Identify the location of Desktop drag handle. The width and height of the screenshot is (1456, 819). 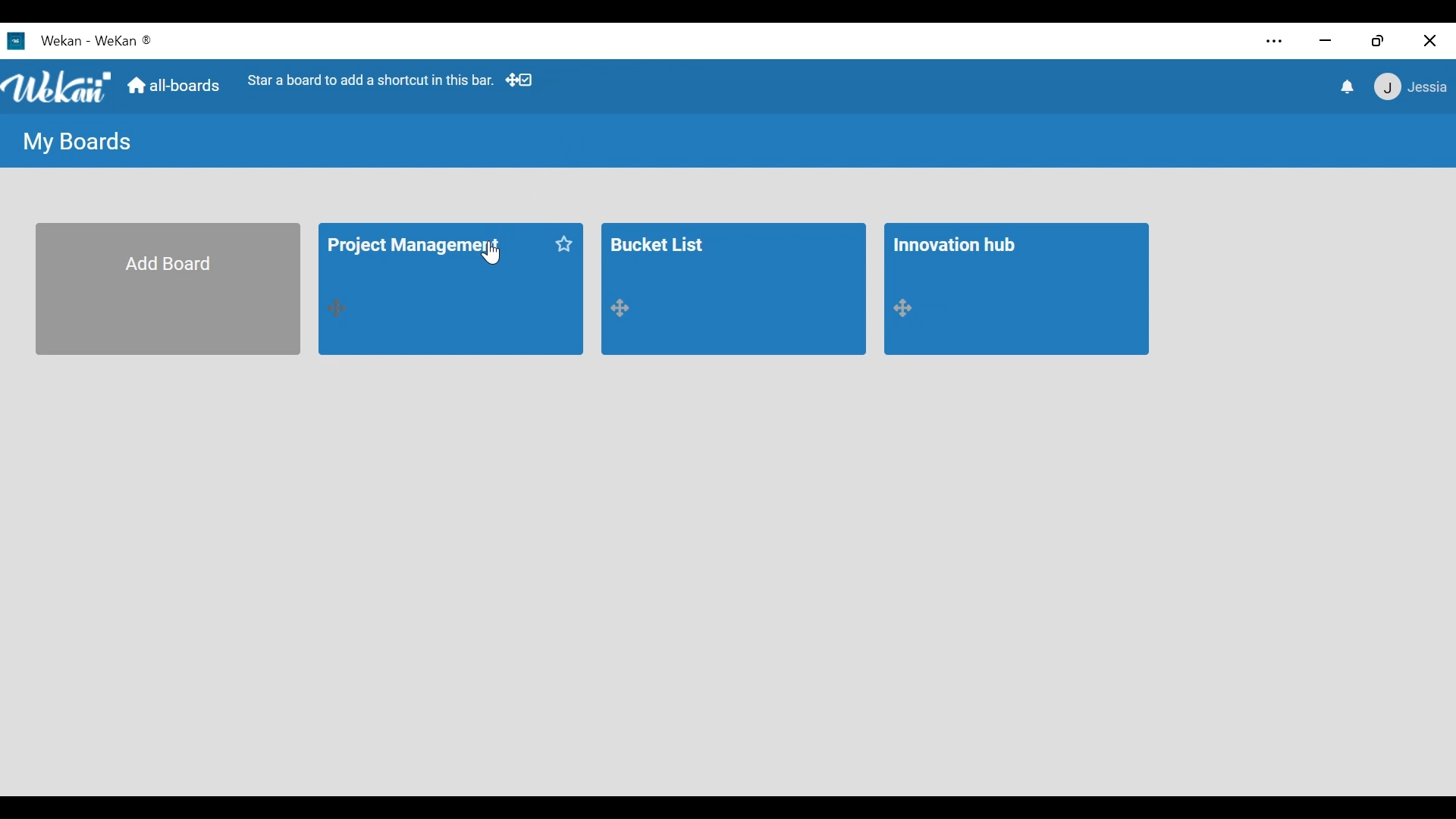
(340, 309).